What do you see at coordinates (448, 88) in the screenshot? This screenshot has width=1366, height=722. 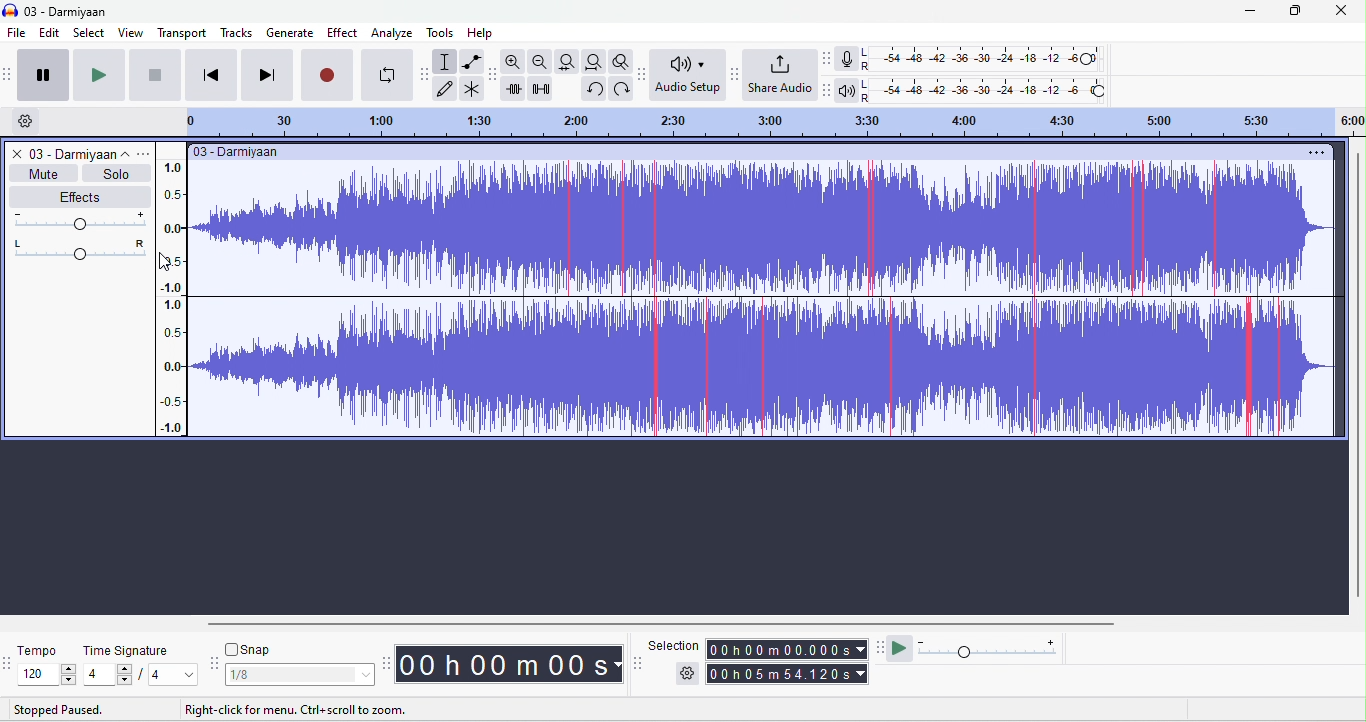 I see `draw` at bounding box center [448, 88].